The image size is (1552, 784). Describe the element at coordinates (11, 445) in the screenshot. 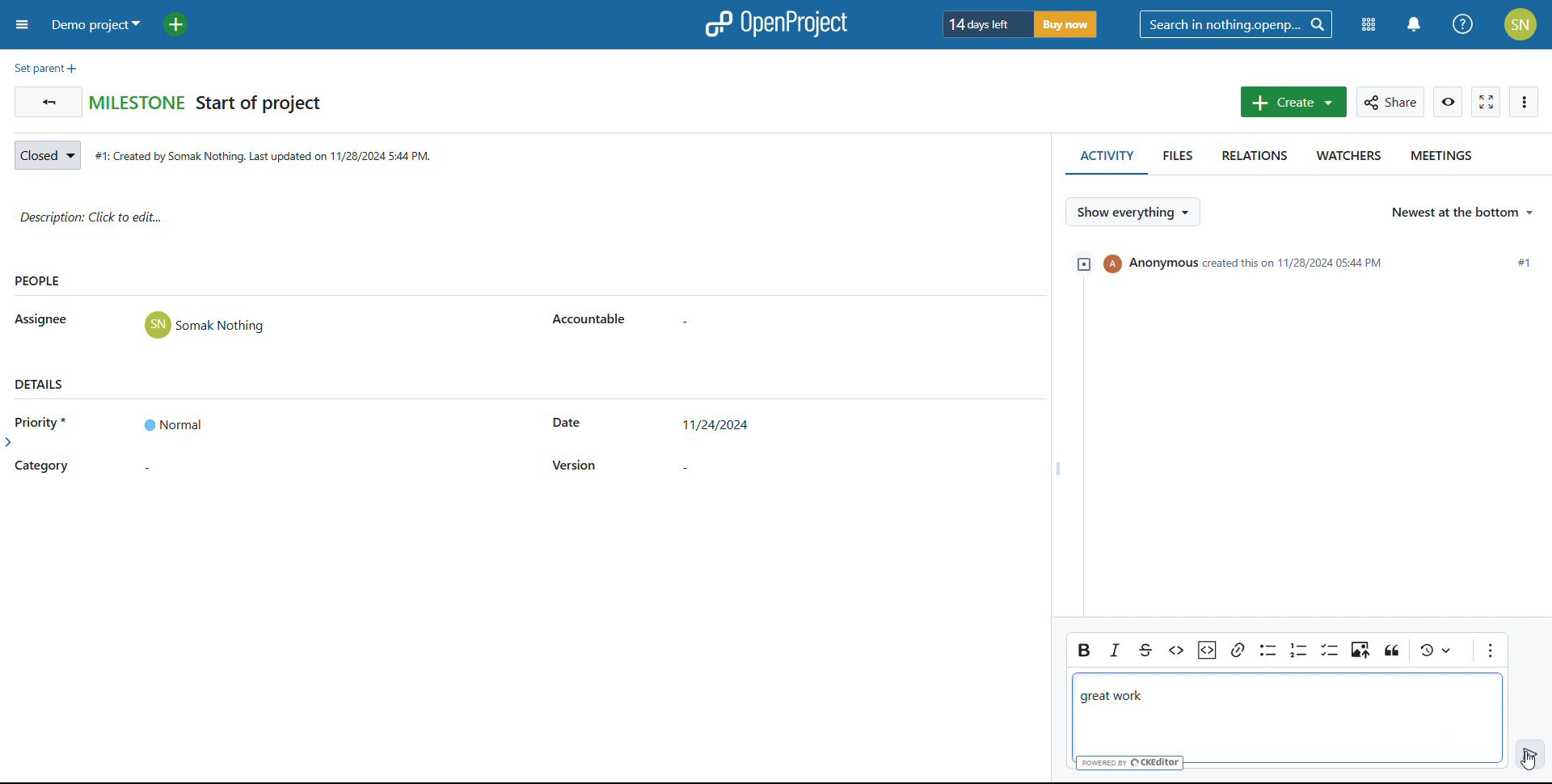

I see `expand side bar` at that location.